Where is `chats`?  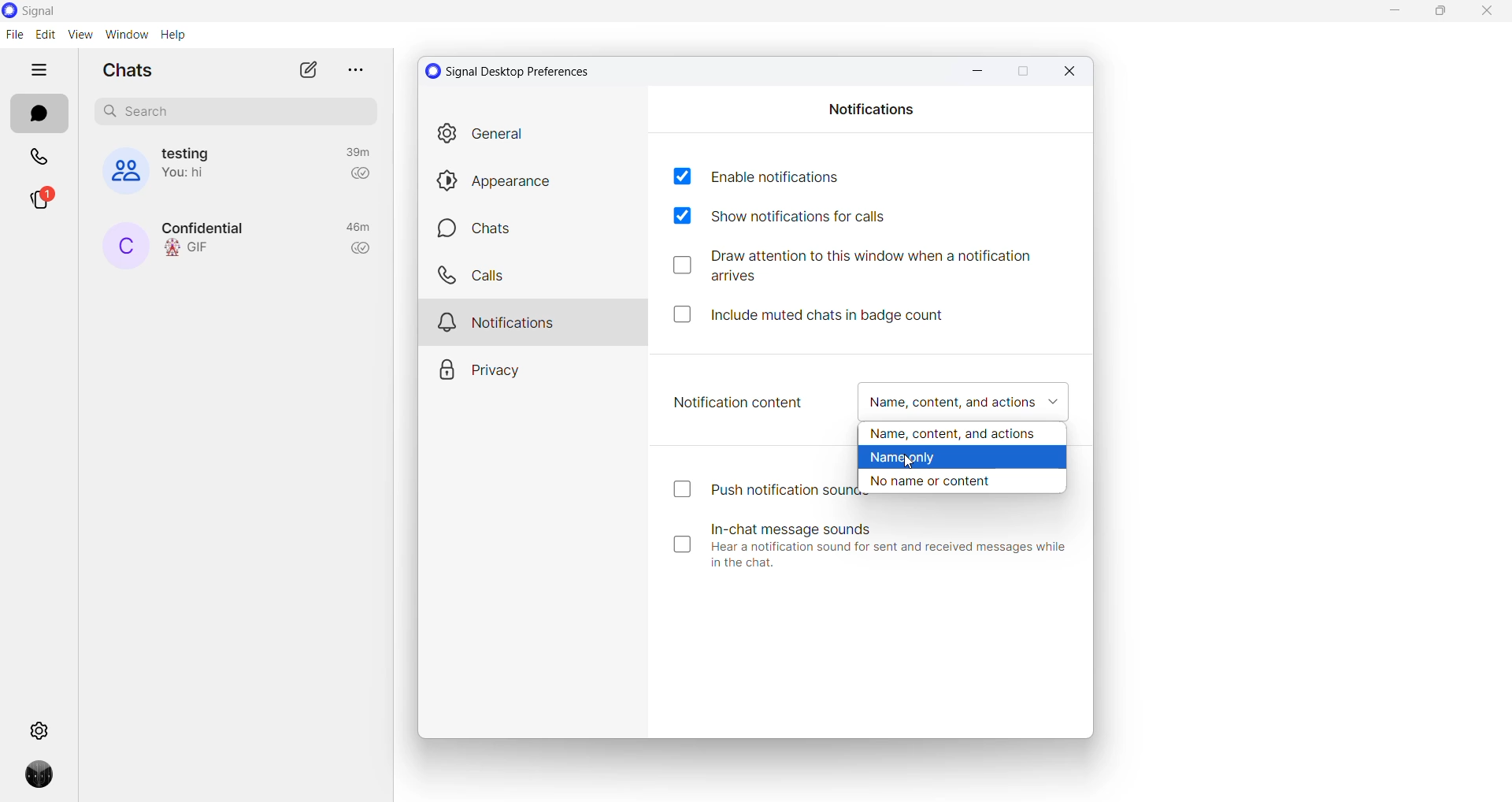 chats is located at coordinates (36, 115).